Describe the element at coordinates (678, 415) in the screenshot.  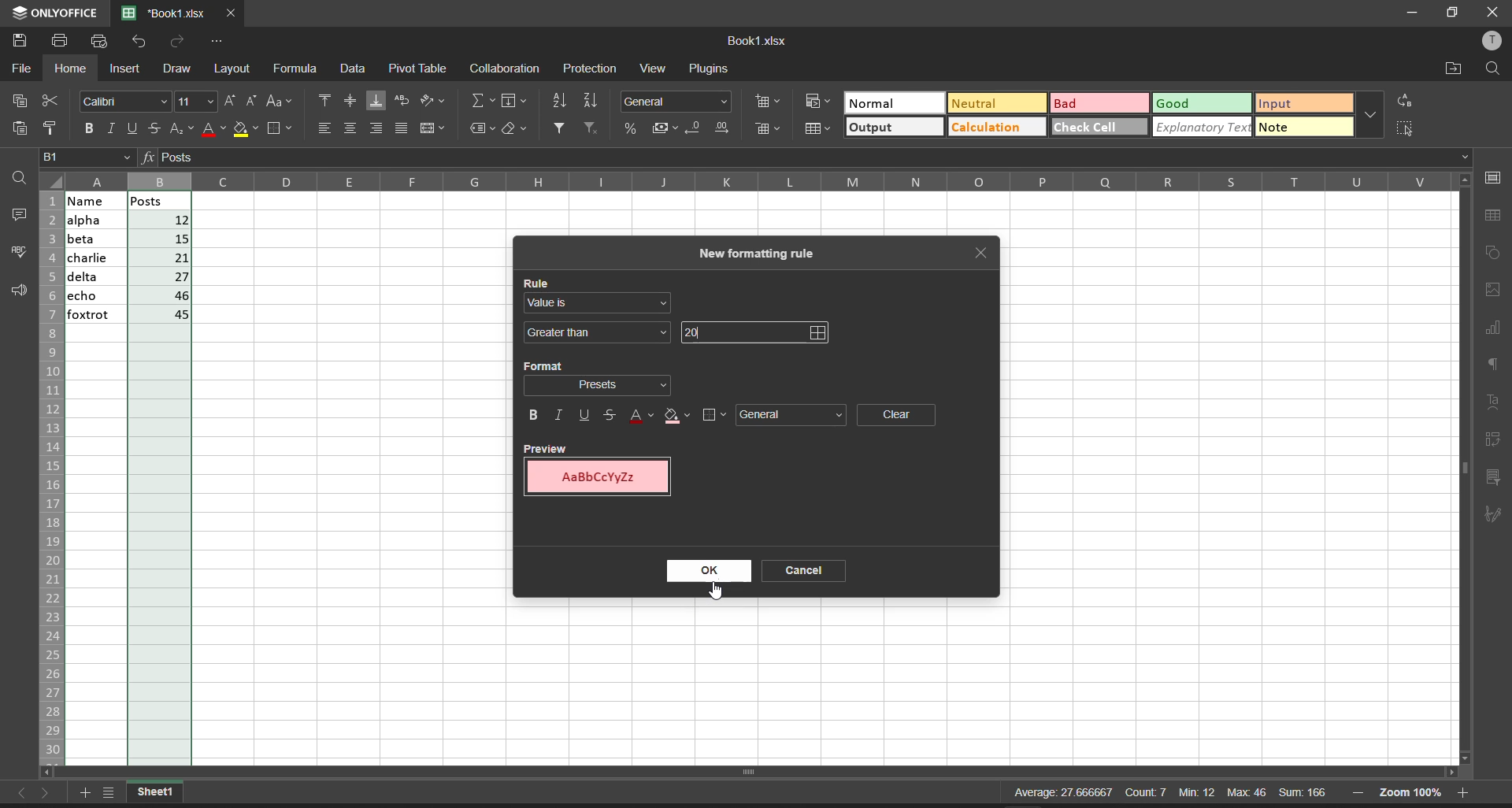
I see `fill color` at that location.